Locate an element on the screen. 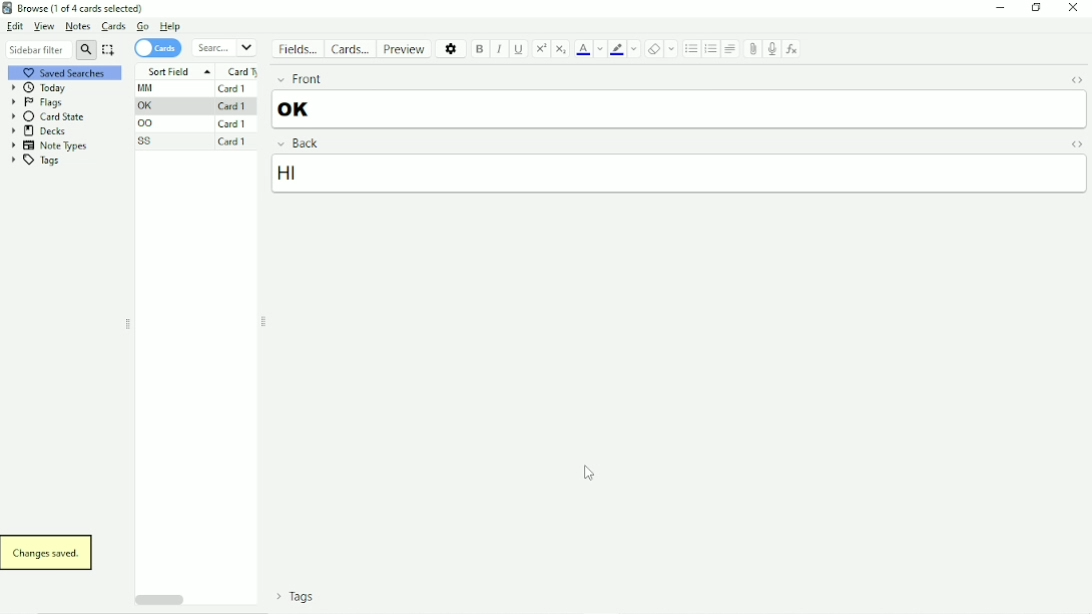  OO is located at coordinates (149, 124).